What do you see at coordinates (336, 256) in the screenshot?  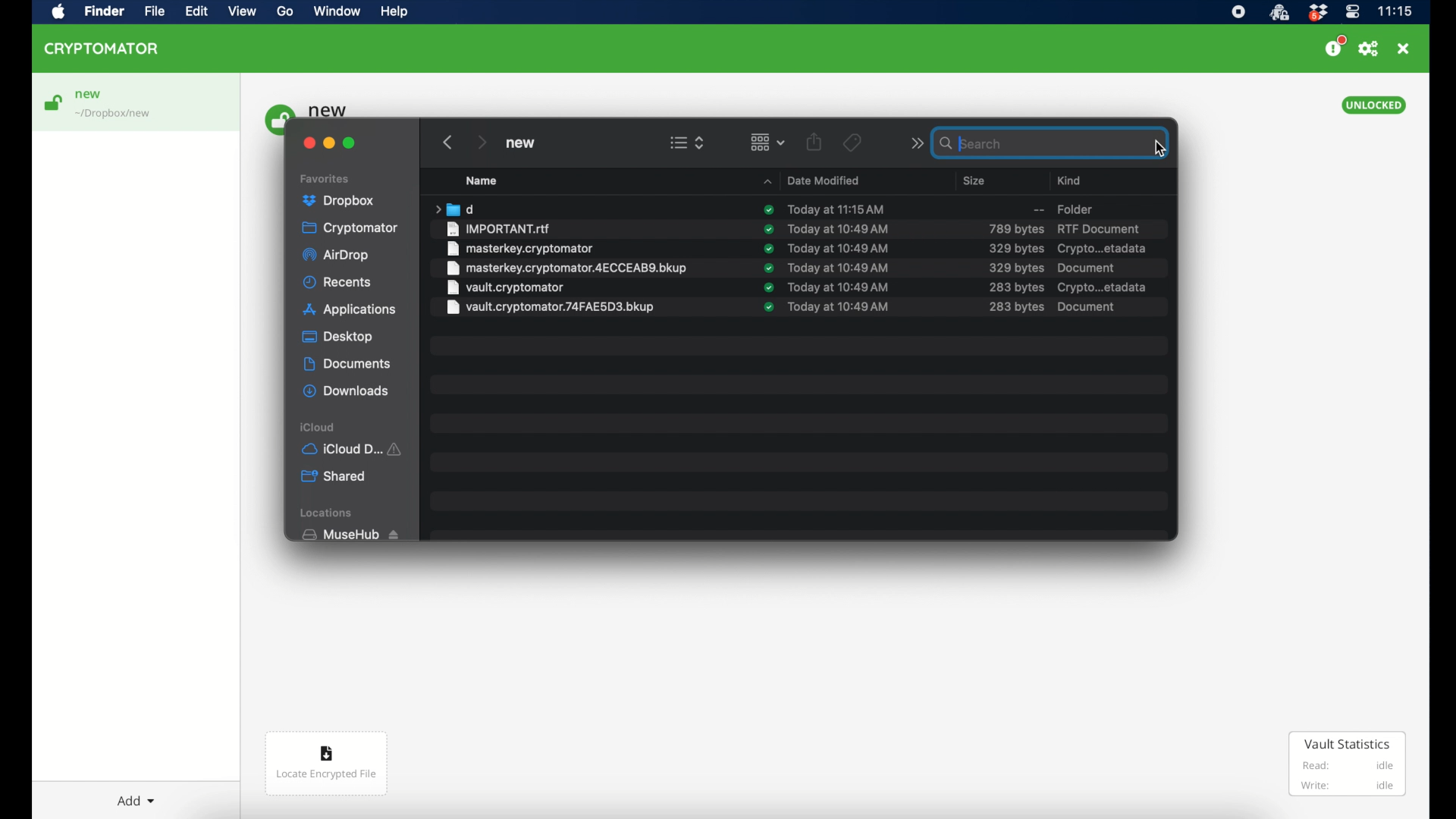 I see `airdrop` at bounding box center [336, 256].